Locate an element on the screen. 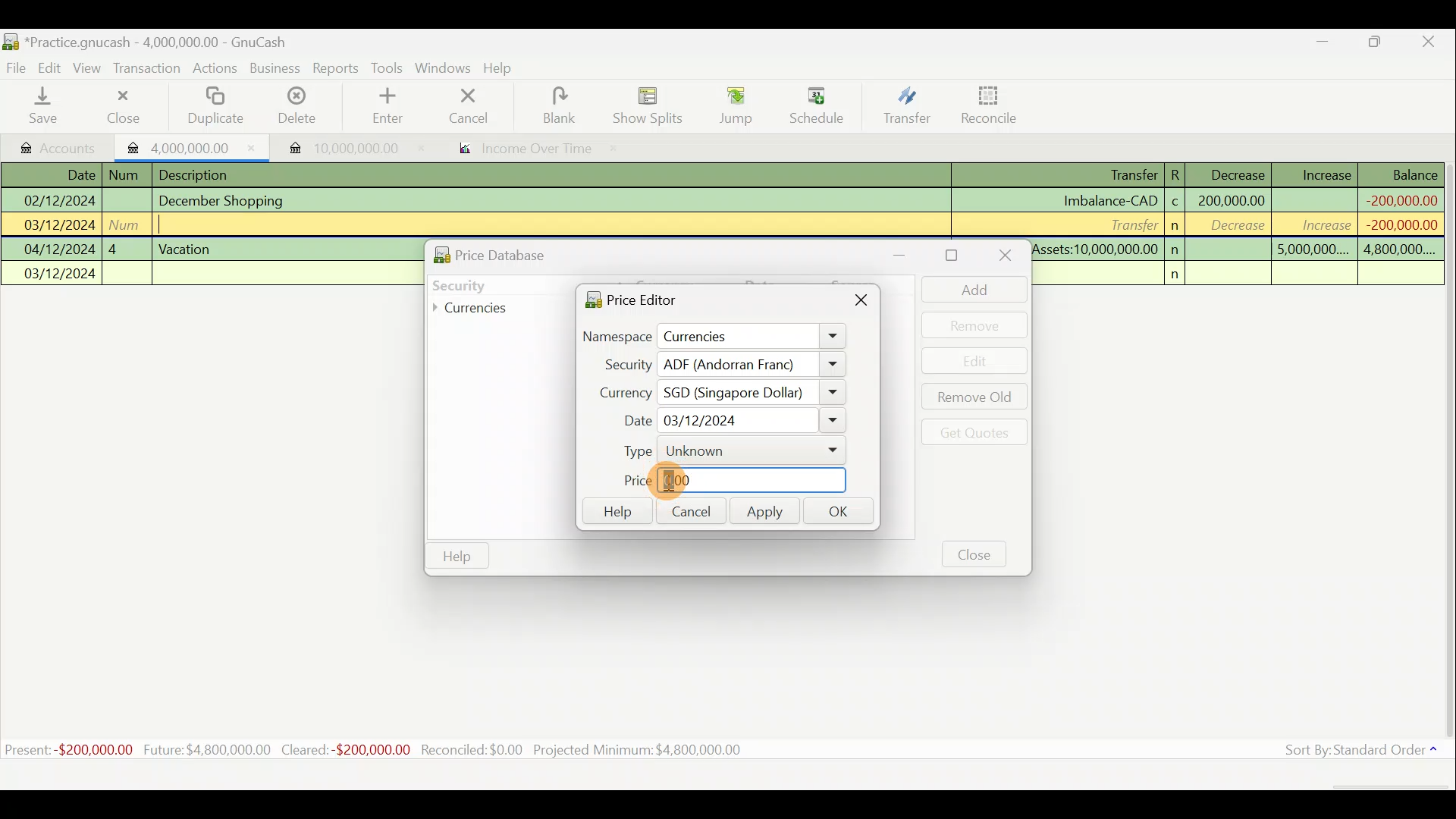  Maximise is located at coordinates (1384, 44).